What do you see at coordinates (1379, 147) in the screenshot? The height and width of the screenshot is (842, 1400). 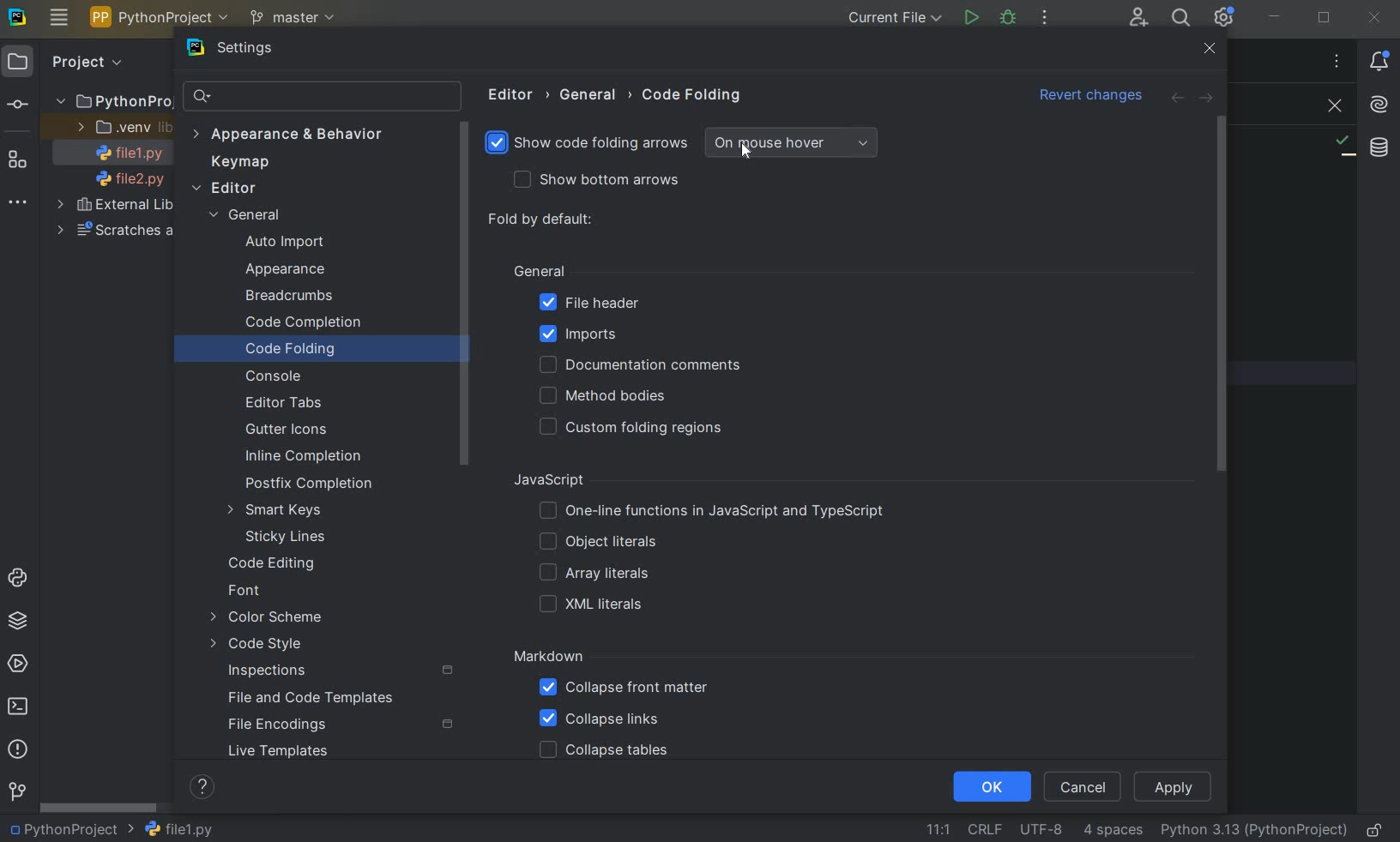 I see `DATABASE` at bounding box center [1379, 147].